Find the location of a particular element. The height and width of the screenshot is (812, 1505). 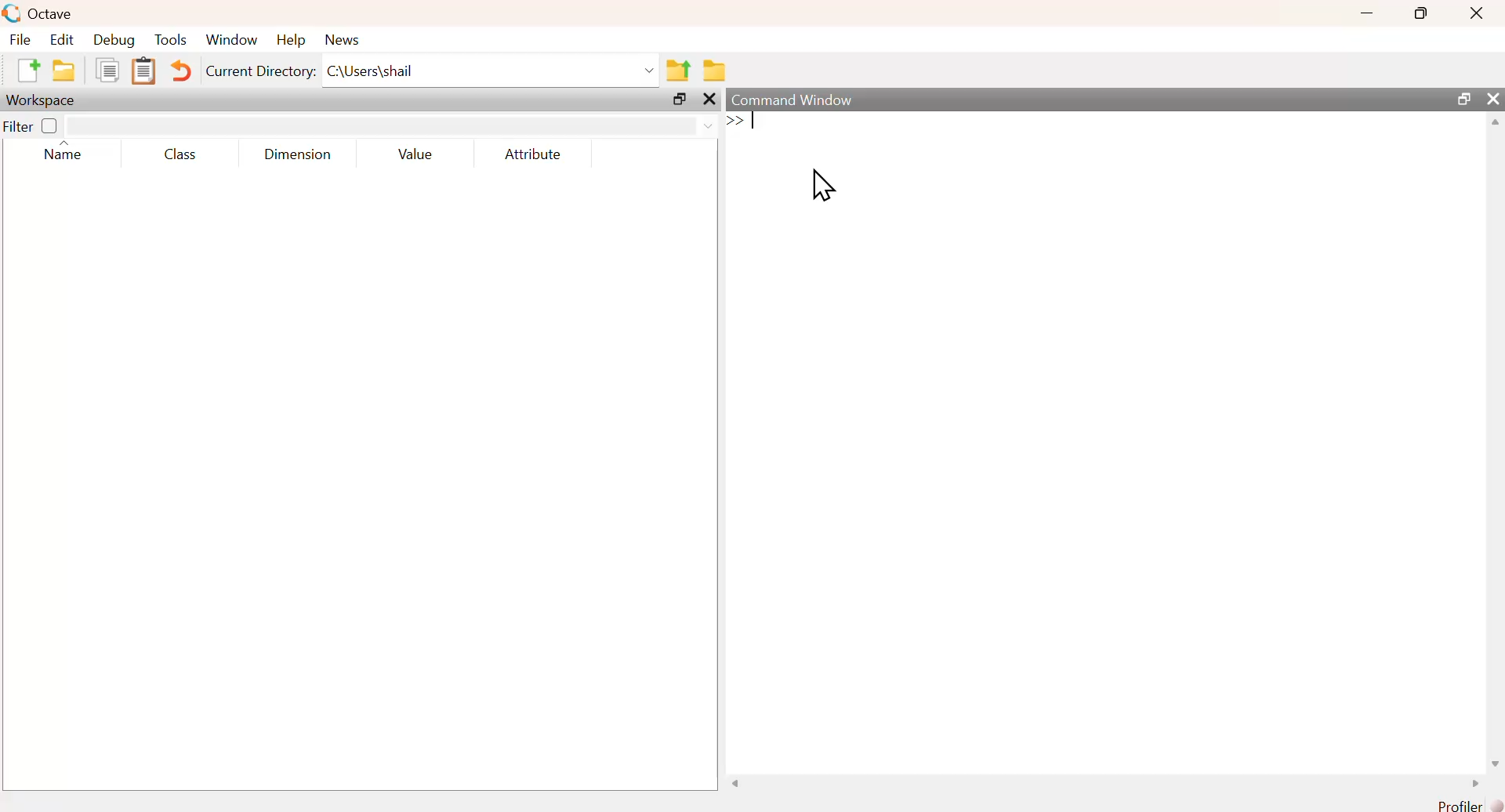

Filter is located at coordinates (33, 125).